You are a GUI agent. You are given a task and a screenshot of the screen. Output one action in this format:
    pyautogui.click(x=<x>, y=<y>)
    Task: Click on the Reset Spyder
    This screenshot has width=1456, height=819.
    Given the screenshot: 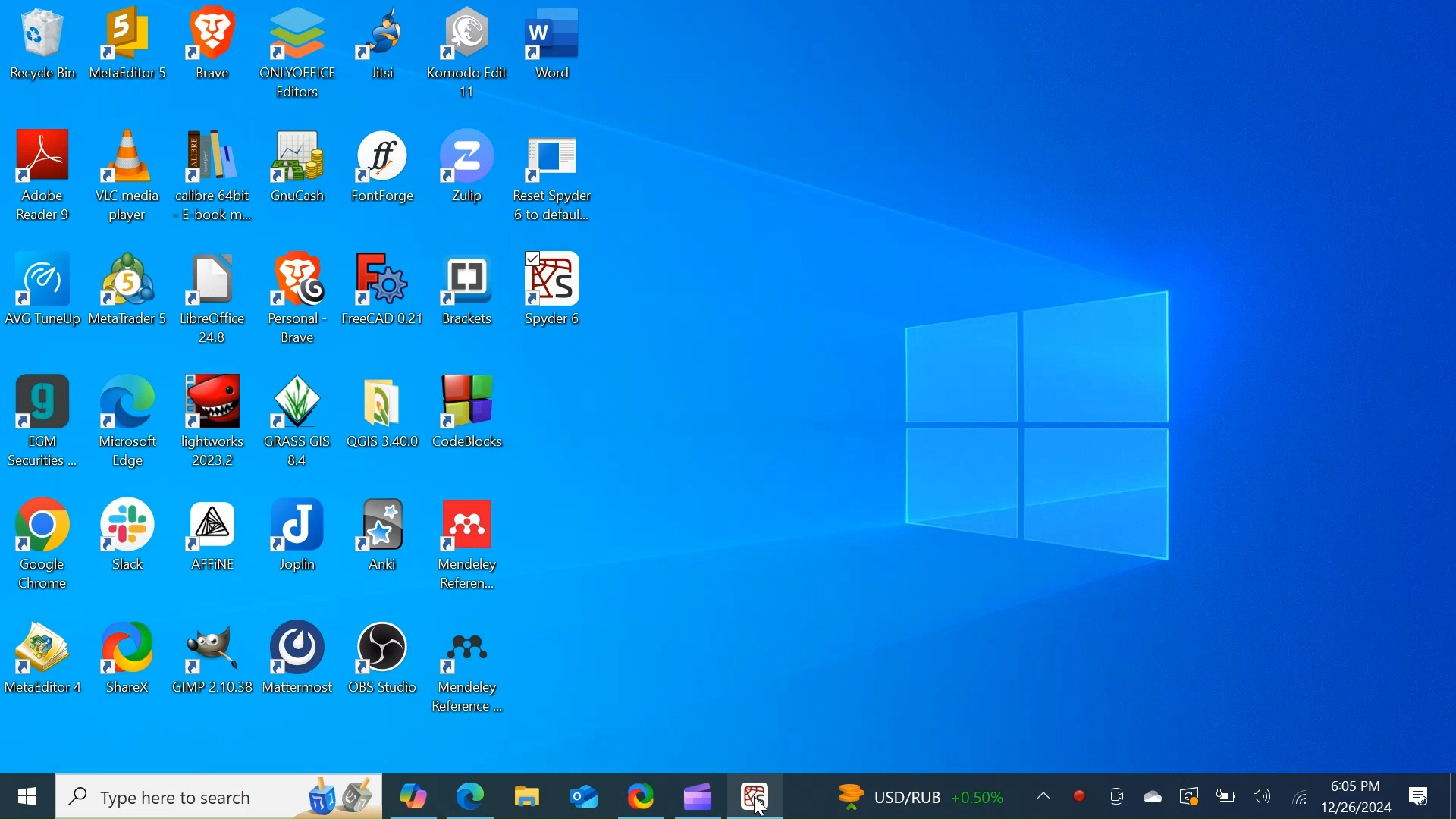 What is the action you would take?
    pyautogui.click(x=562, y=180)
    